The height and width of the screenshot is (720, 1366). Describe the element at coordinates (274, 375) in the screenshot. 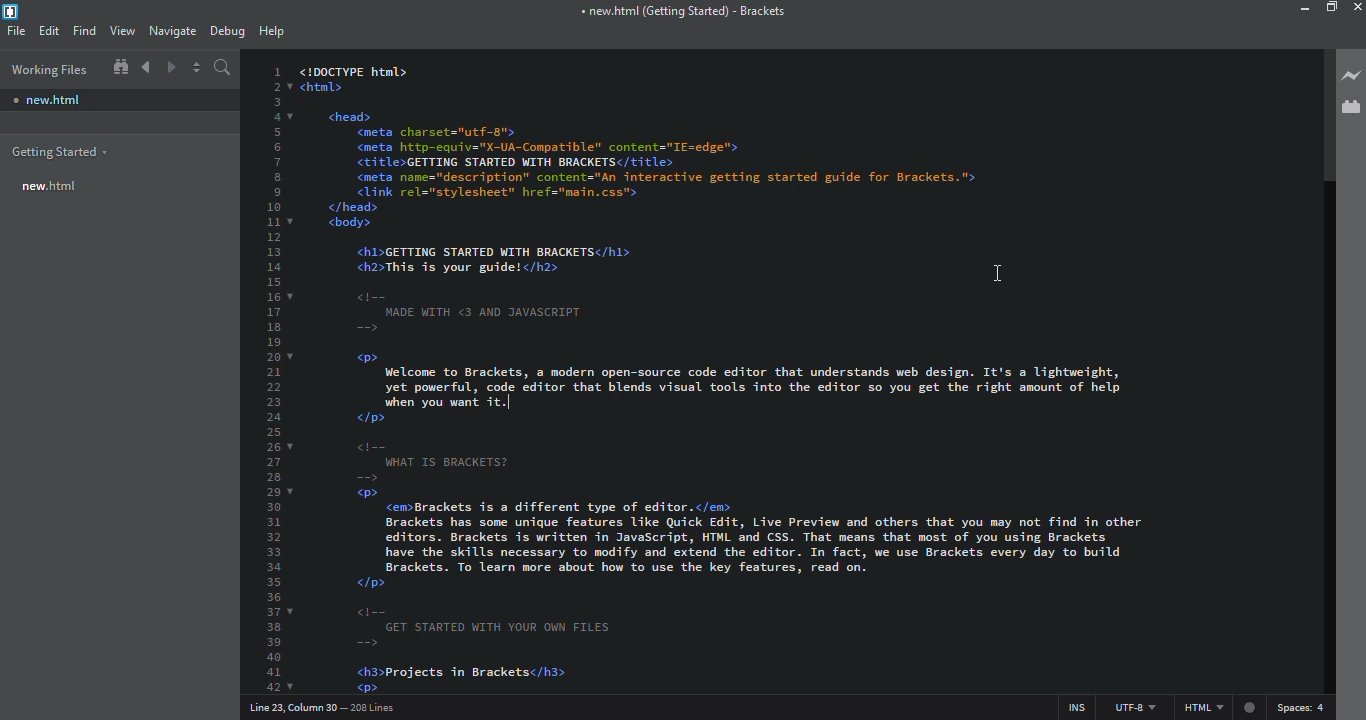

I see `line number` at that location.